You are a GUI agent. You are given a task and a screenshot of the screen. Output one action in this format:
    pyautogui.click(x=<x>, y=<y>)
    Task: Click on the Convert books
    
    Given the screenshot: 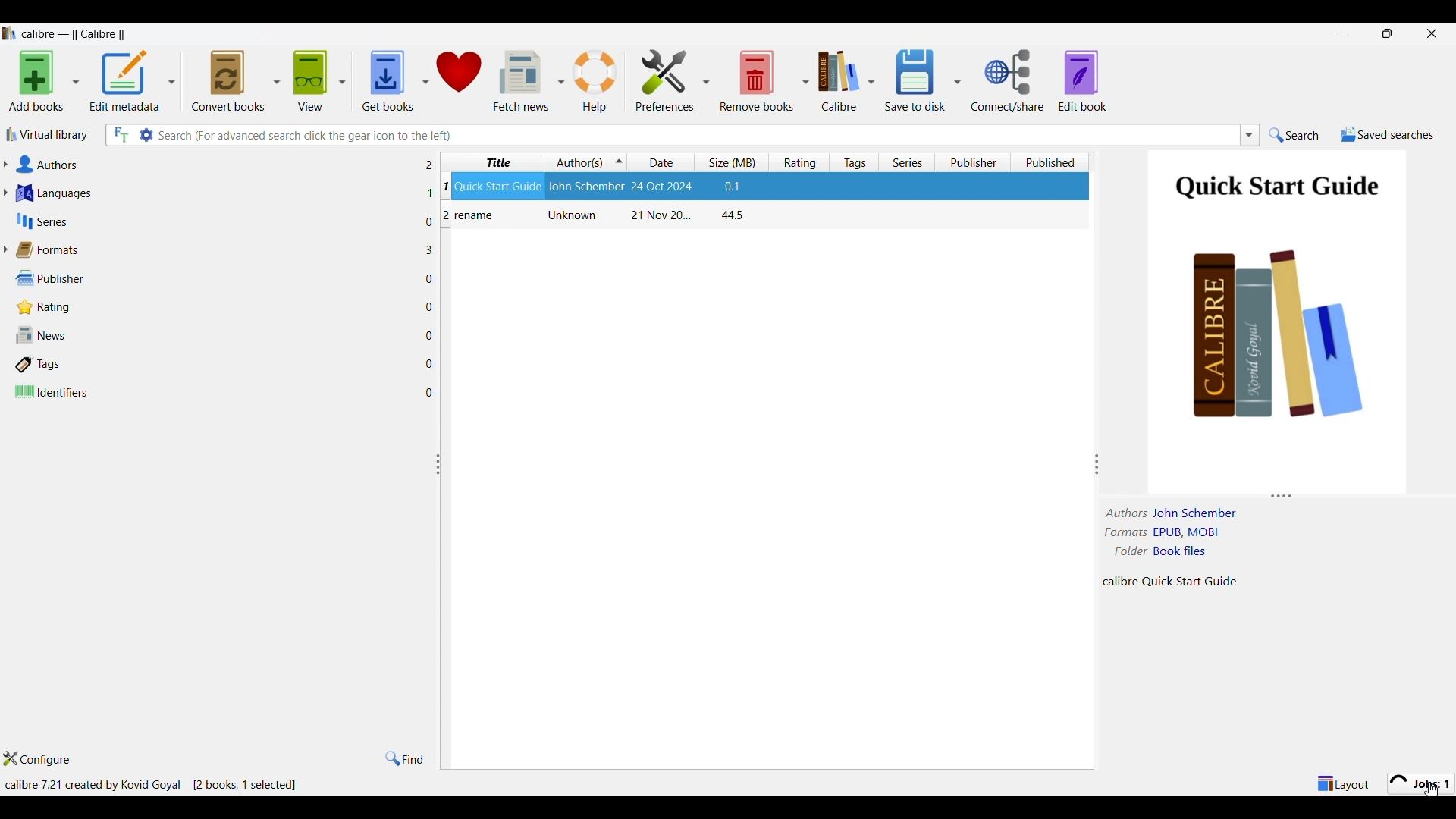 What is the action you would take?
    pyautogui.click(x=228, y=81)
    